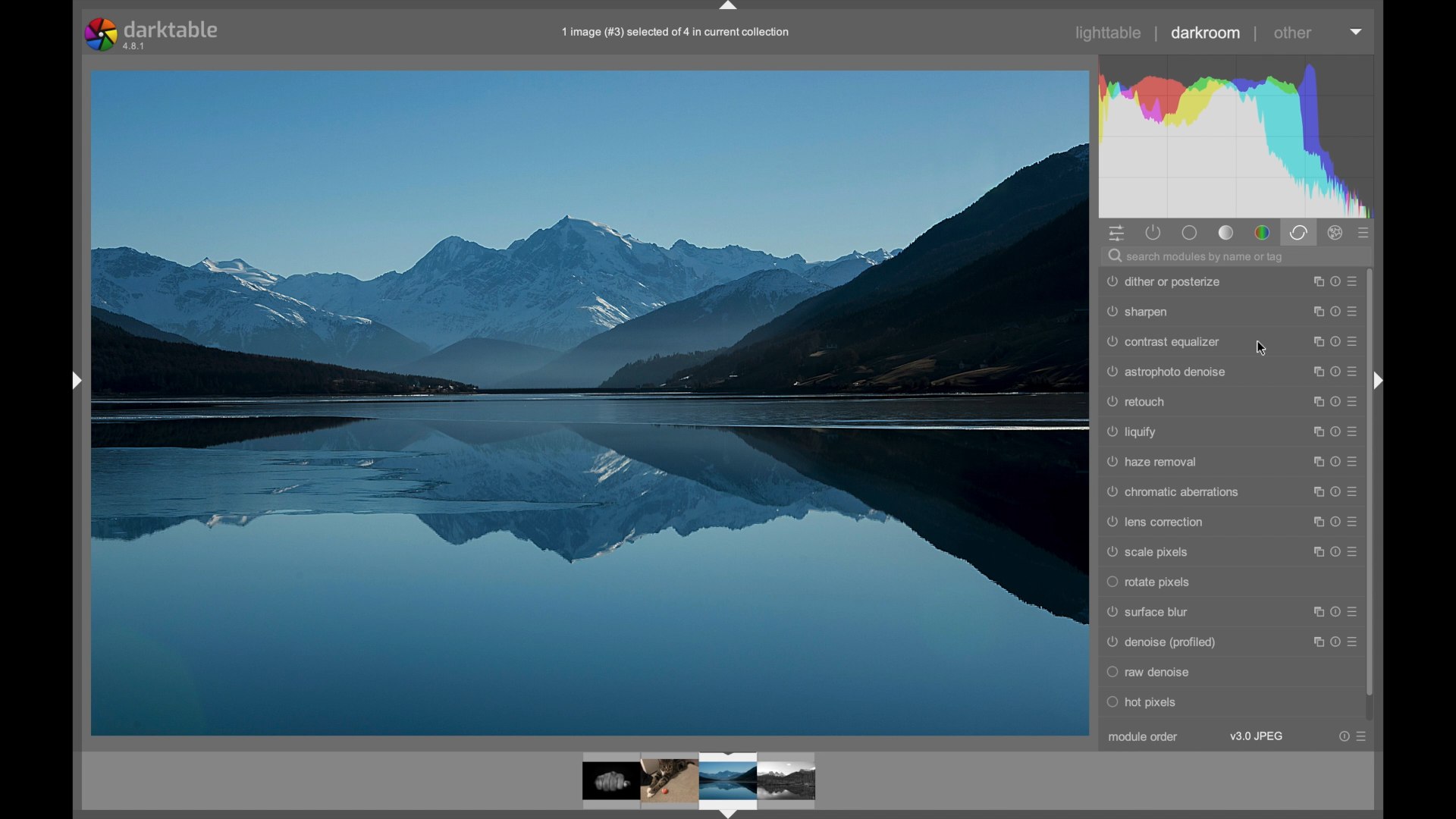 The width and height of the screenshot is (1456, 819). What do you see at coordinates (1333, 551) in the screenshot?
I see `more options` at bounding box center [1333, 551].